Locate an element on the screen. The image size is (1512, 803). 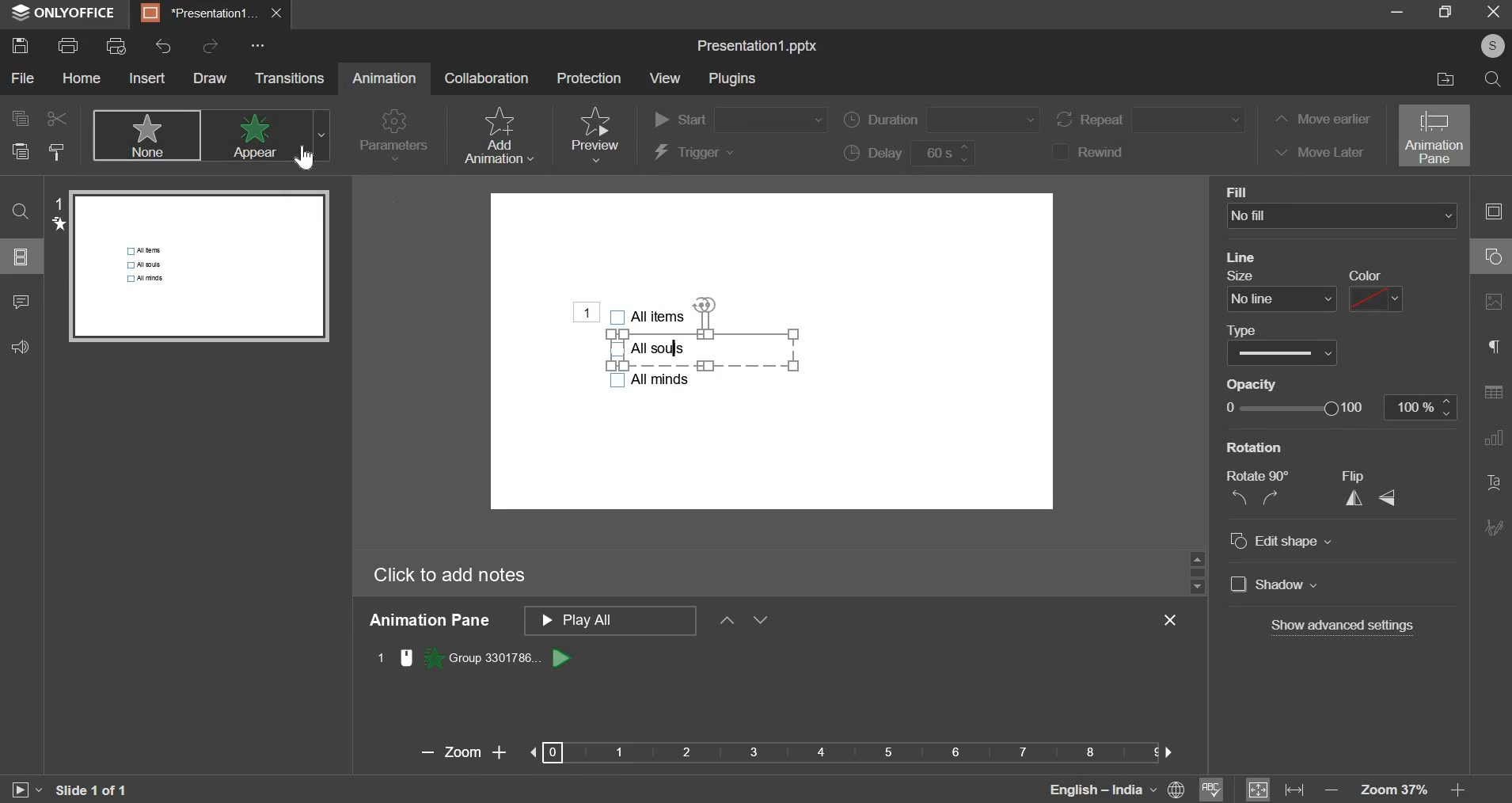
minimize is located at coordinates (1394, 16).